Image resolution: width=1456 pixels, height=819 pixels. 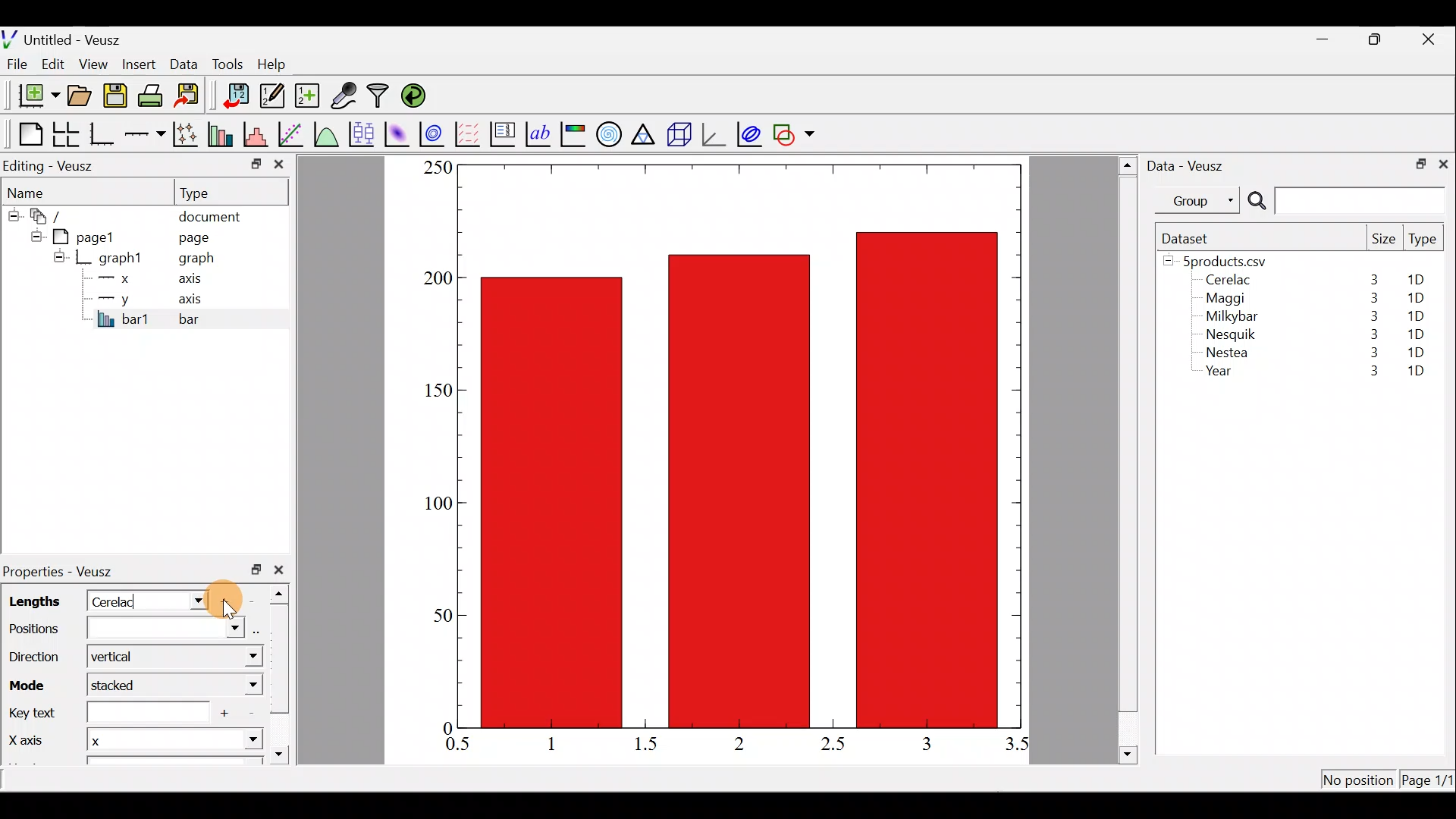 What do you see at coordinates (191, 600) in the screenshot?
I see `Length dropdown` at bounding box center [191, 600].